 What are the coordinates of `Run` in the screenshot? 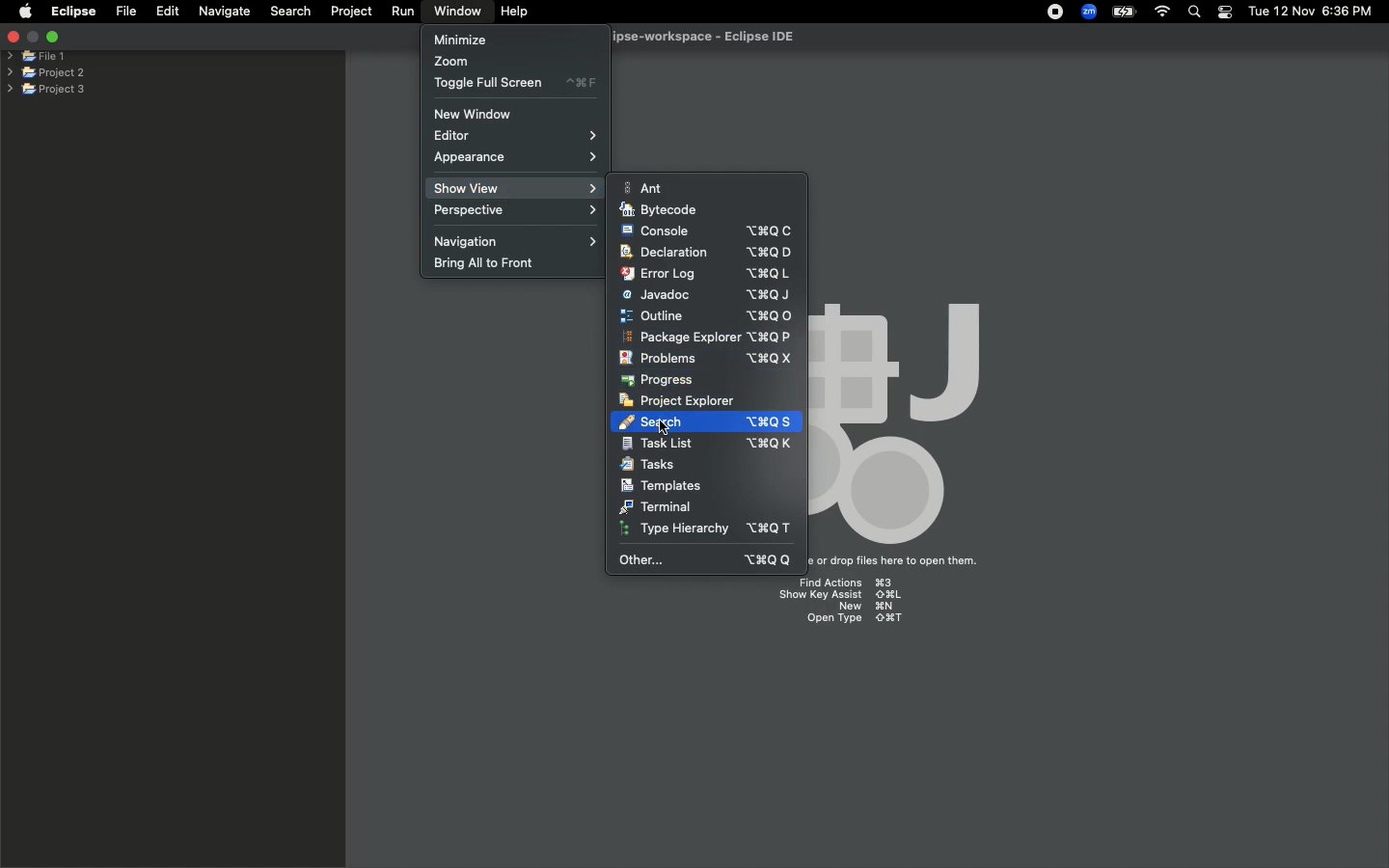 It's located at (404, 12).